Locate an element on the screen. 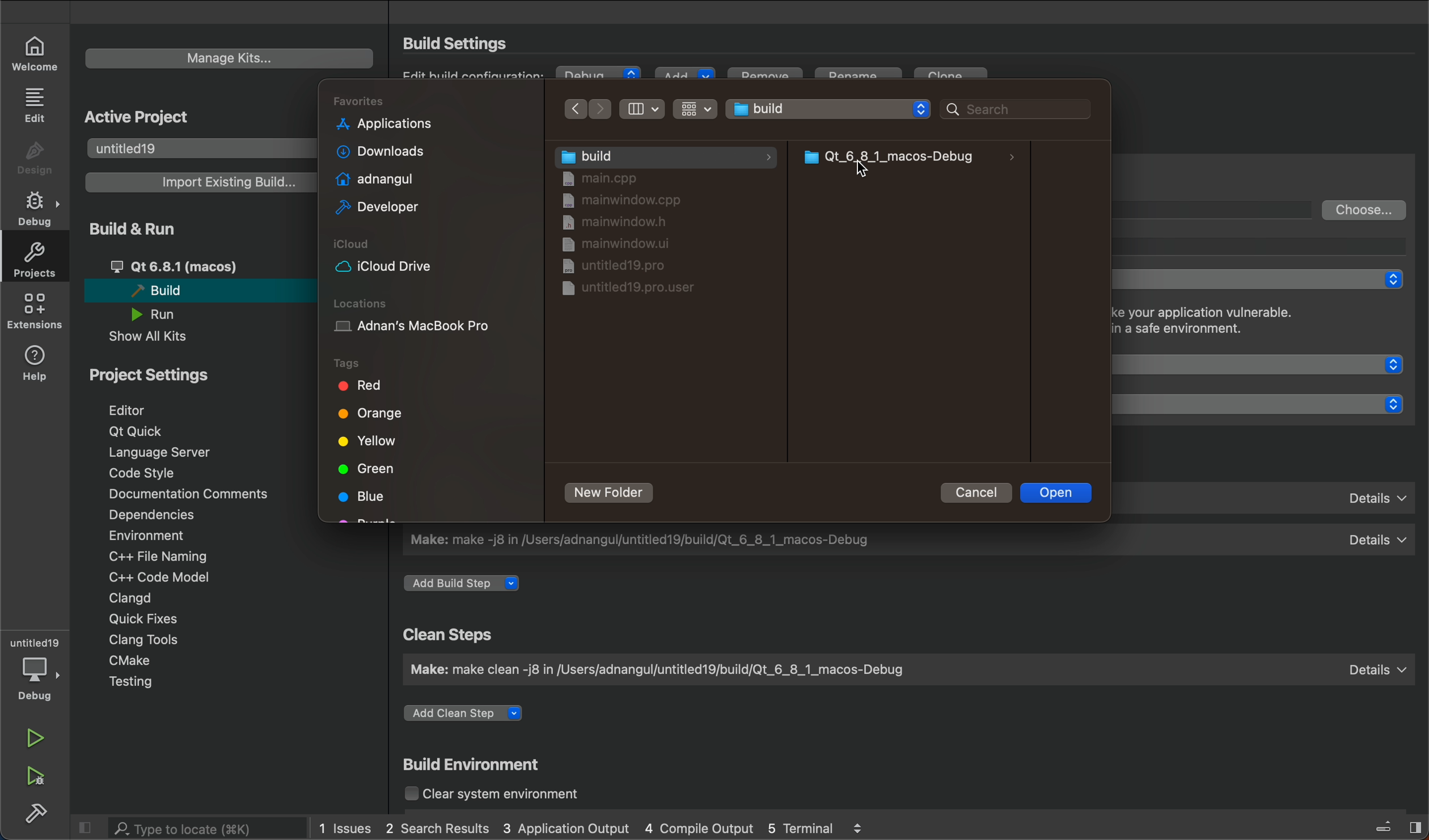  location is located at coordinates (428, 319).